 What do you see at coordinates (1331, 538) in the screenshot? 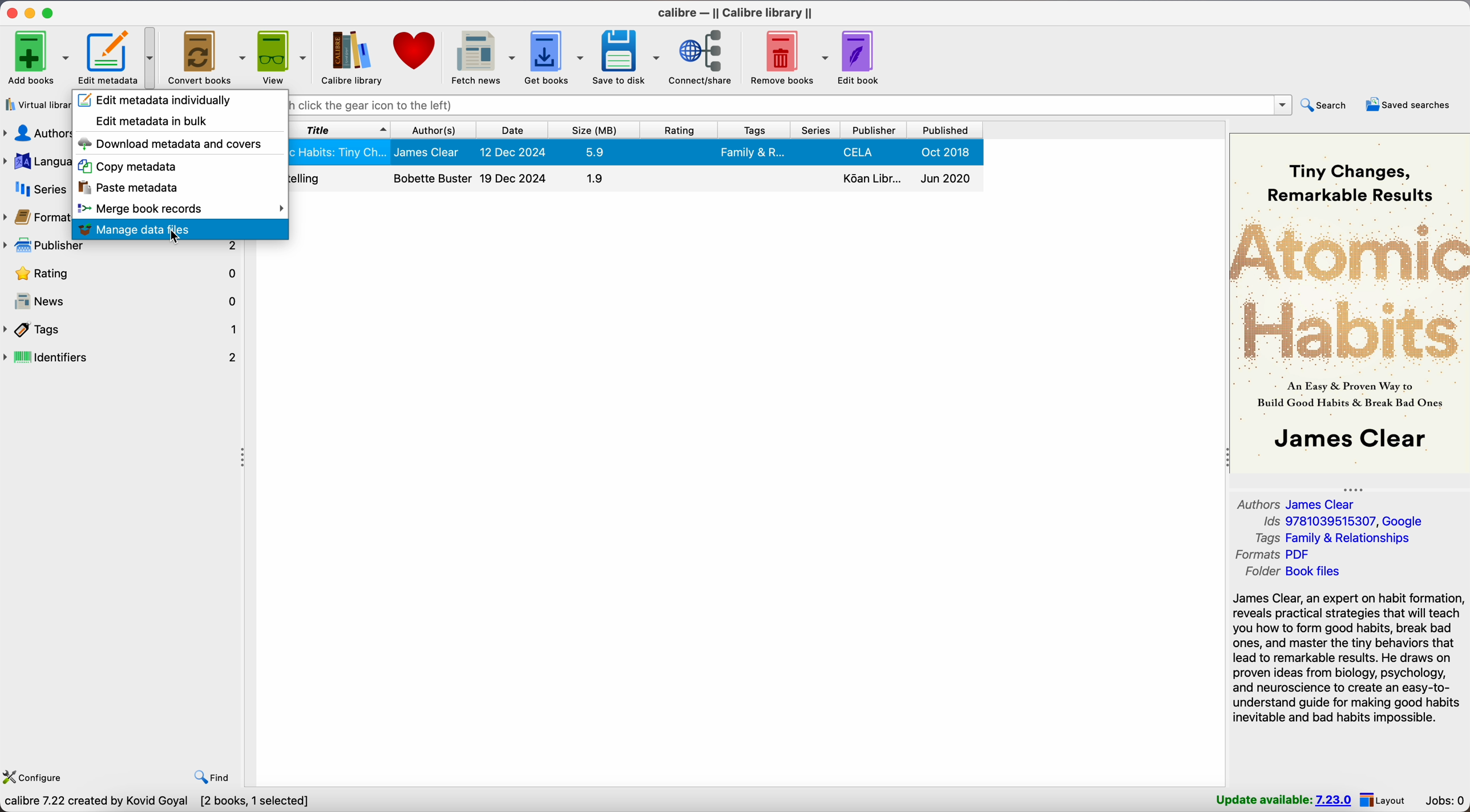
I see `tags Family & Relationships` at bounding box center [1331, 538].